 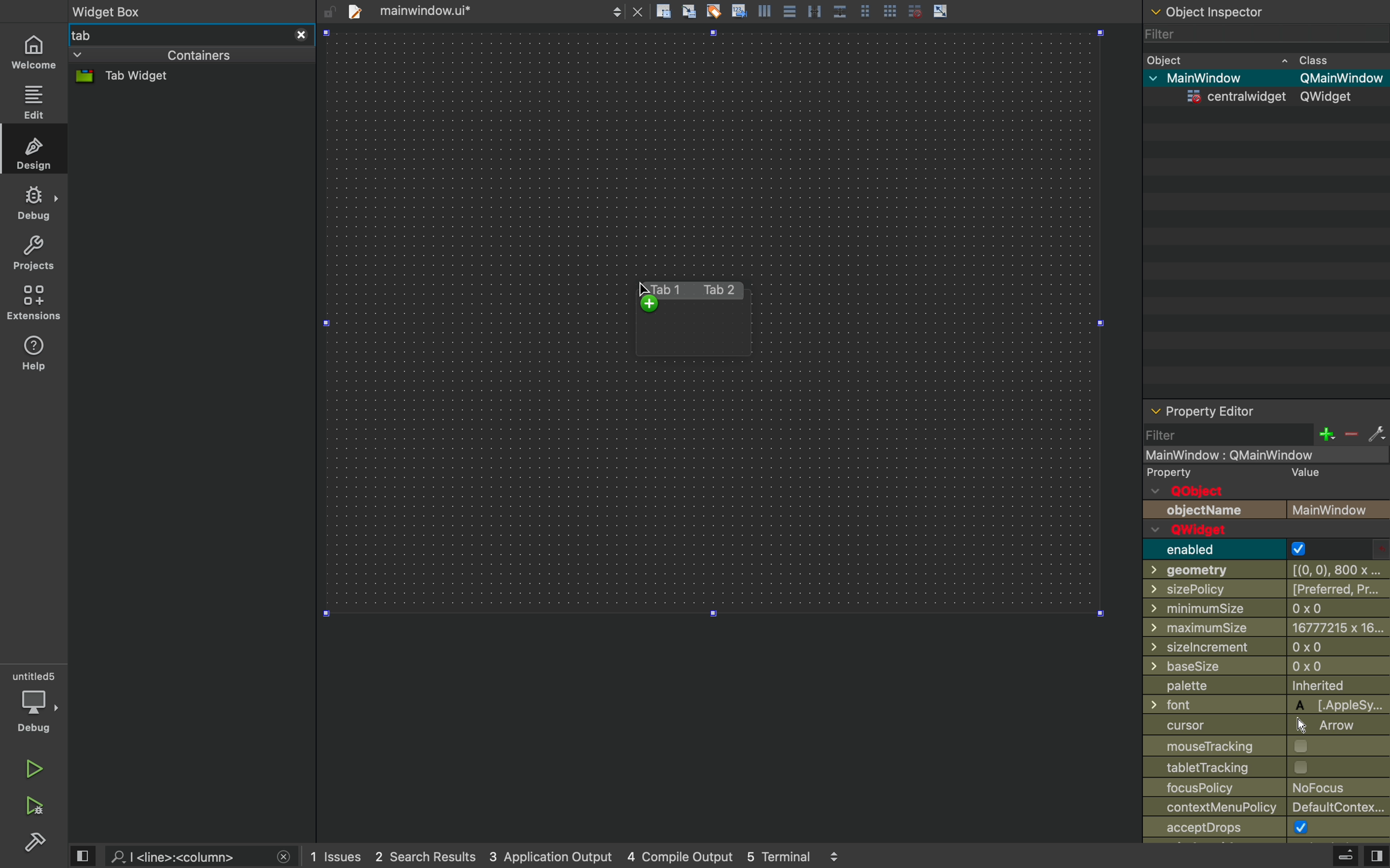 I want to click on settings, so click(x=1376, y=434).